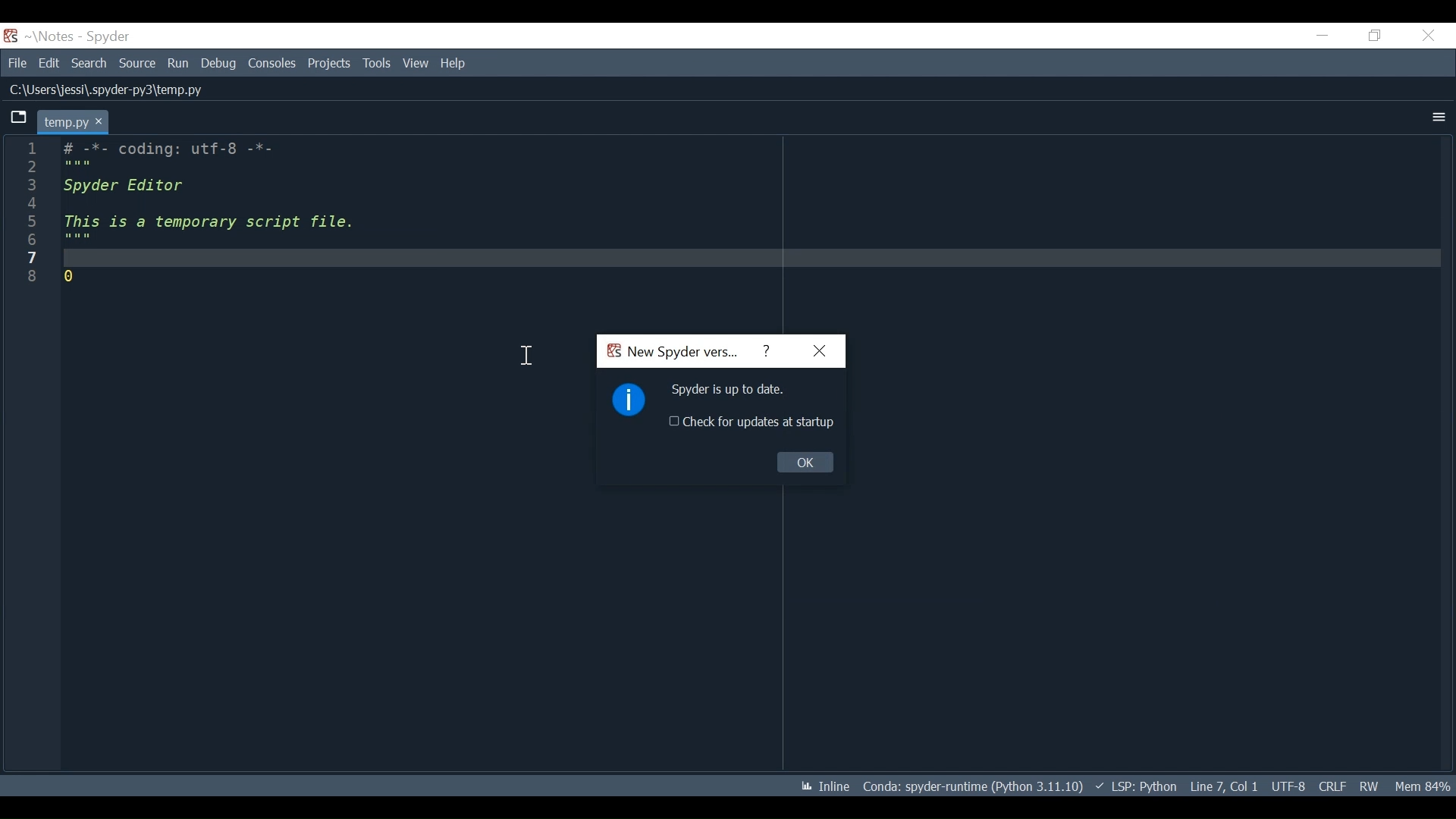 The height and width of the screenshot is (819, 1456). Describe the element at coordinates (377, 63) in the screenshot. I see `Tools` at that location.